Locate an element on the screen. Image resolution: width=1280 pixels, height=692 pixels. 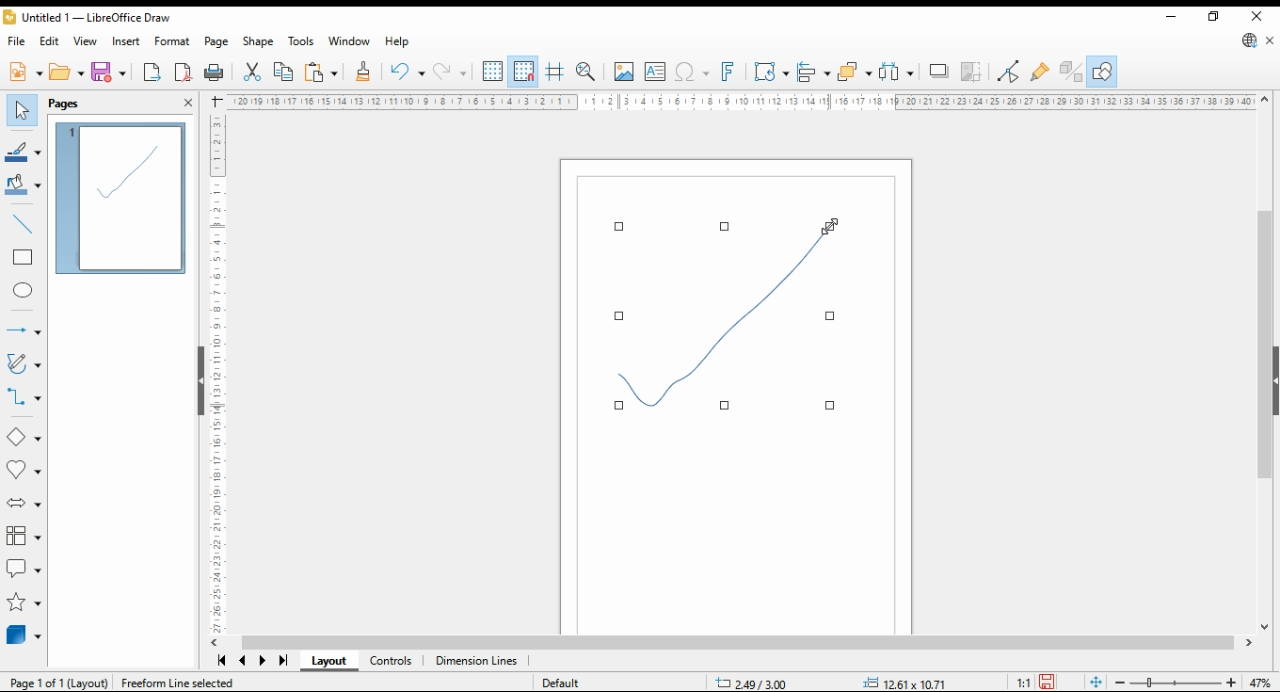
fit document to window is located at coordinates (1096, 682).